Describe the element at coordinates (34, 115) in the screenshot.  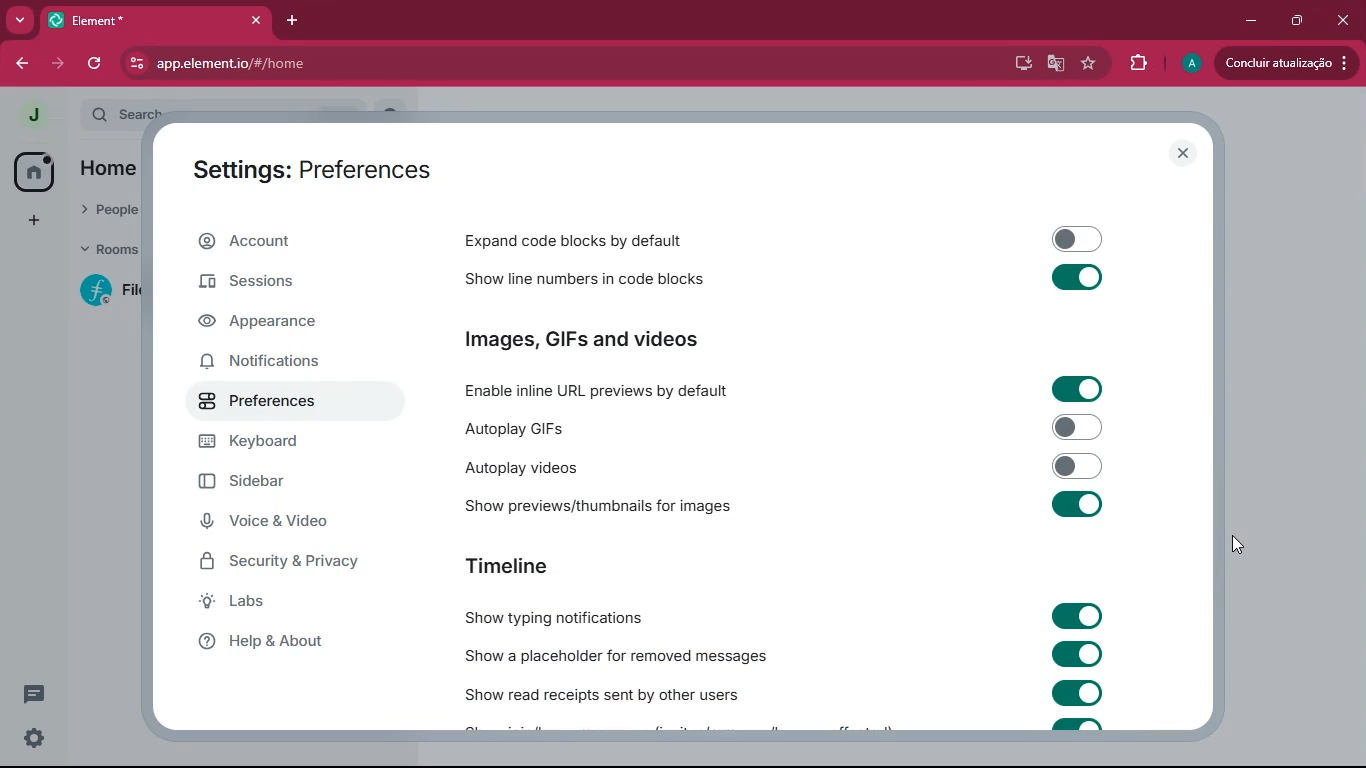
I see `profile` at that location.